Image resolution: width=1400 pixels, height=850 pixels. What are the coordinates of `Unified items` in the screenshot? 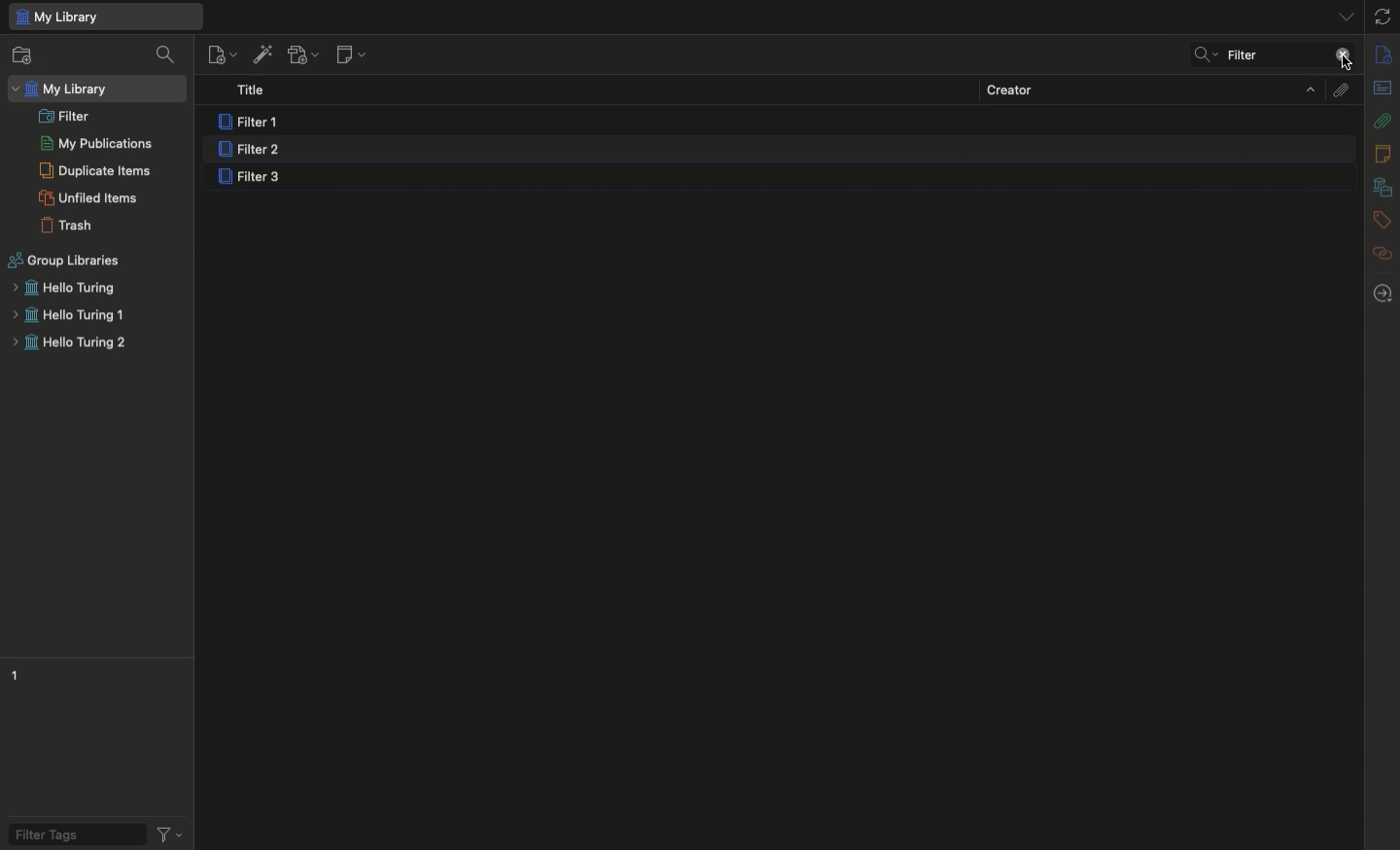 It's located at (91, 197).